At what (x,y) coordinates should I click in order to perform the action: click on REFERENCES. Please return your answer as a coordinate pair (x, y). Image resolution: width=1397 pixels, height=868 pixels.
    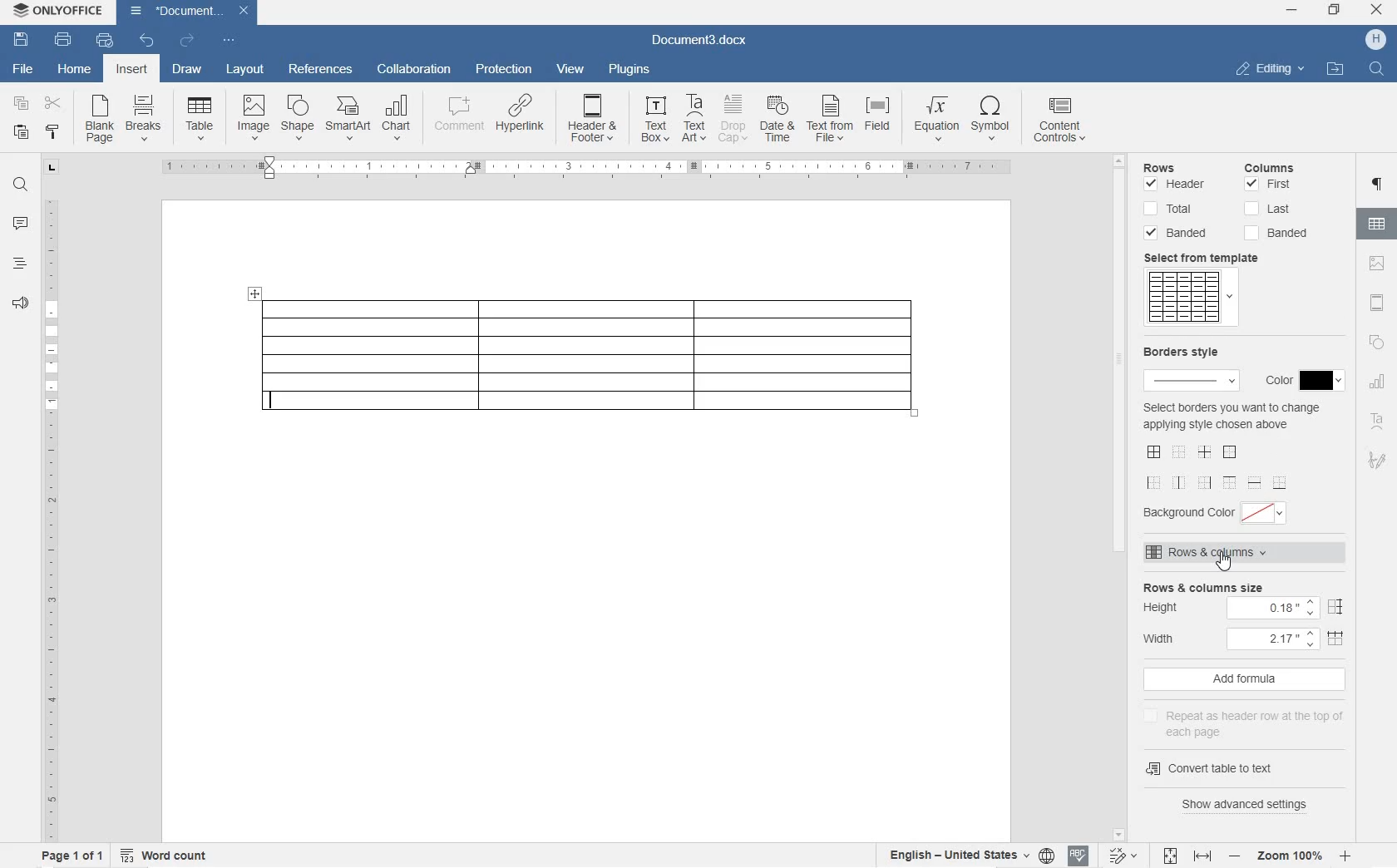
    Looking at the image, I should click on (321, 71).